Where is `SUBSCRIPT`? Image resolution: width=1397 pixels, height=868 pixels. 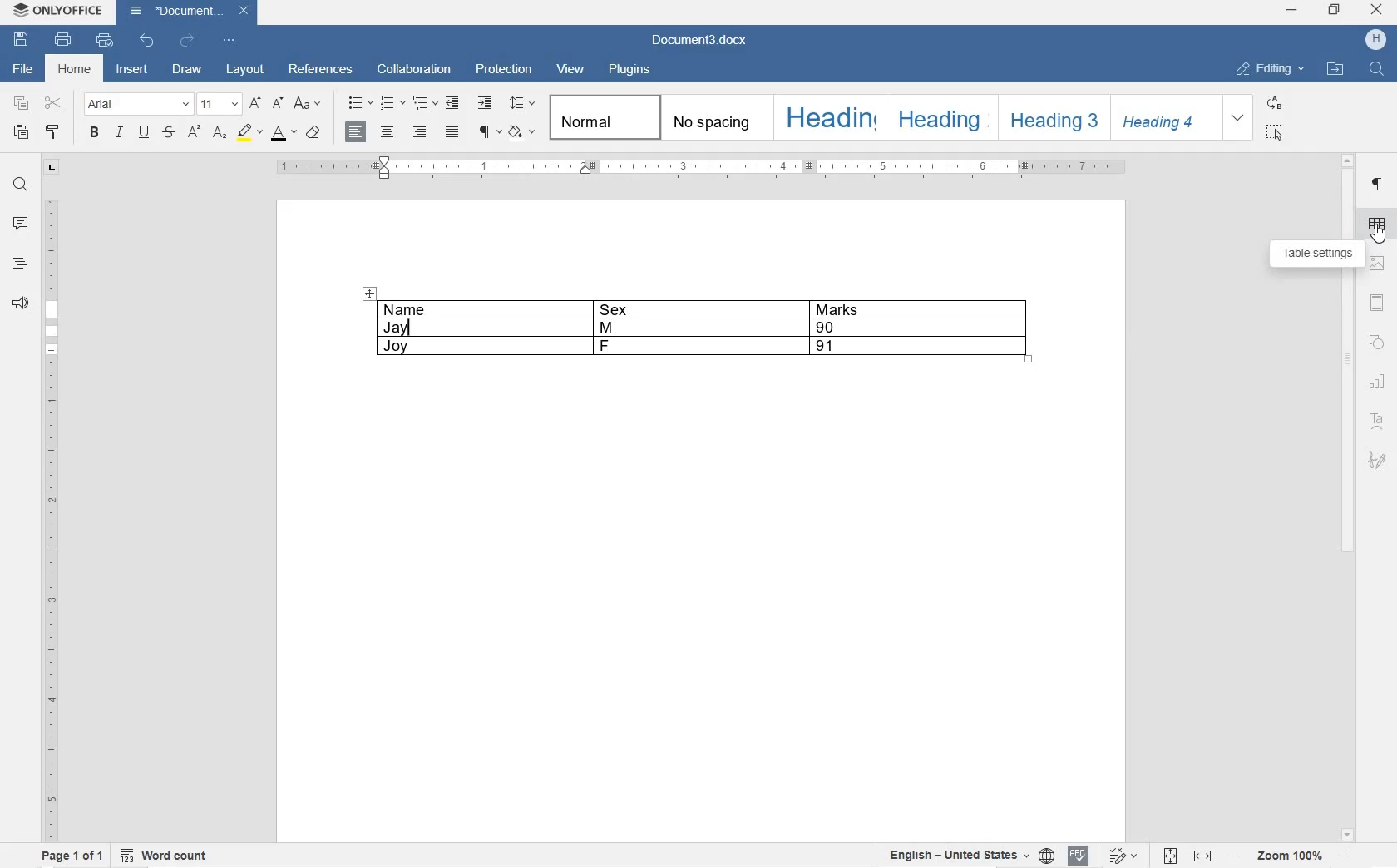
SUBSCRIPT is located at coordinates (220, 133).